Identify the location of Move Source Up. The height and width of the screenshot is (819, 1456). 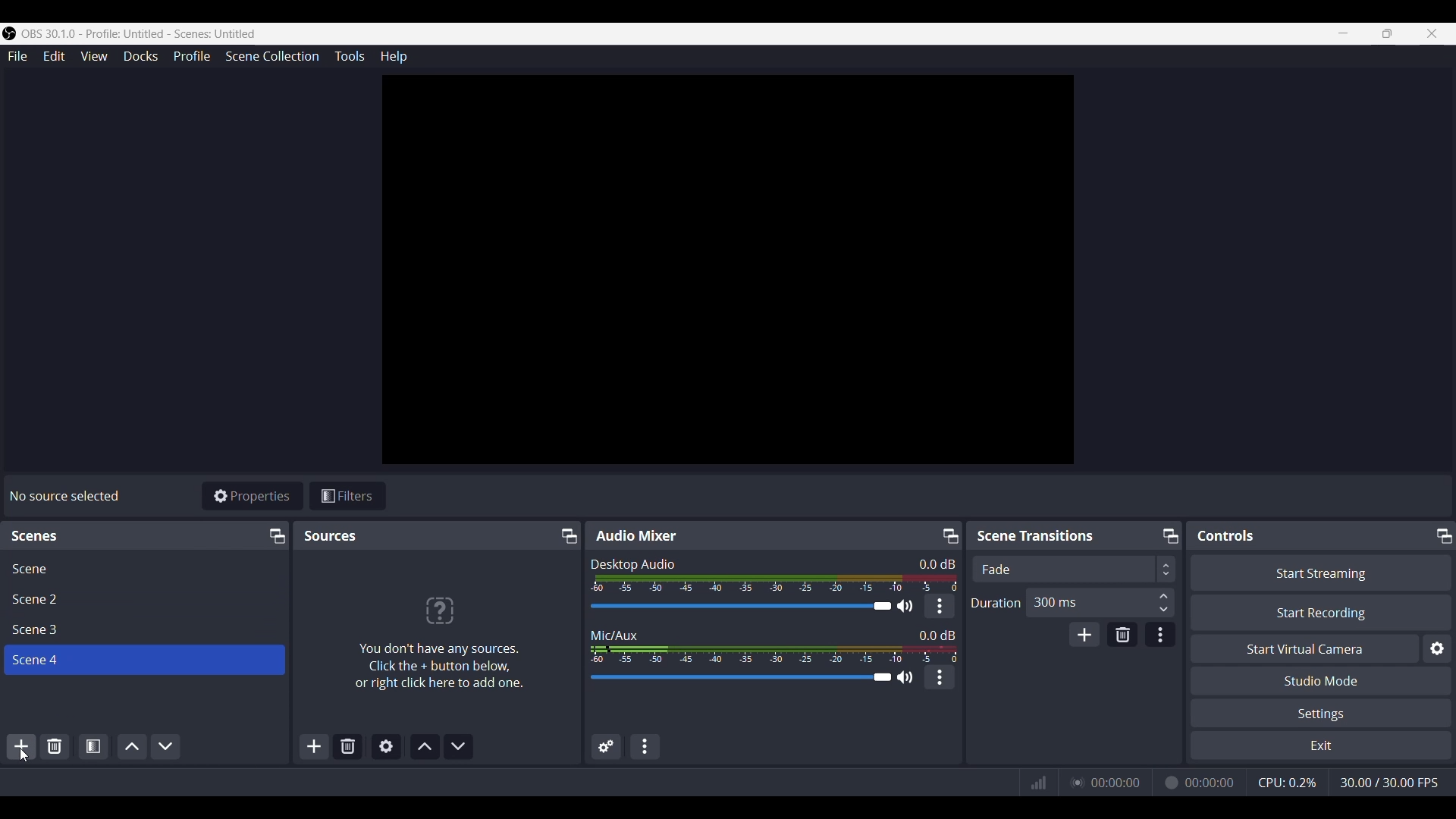
(425, 746).